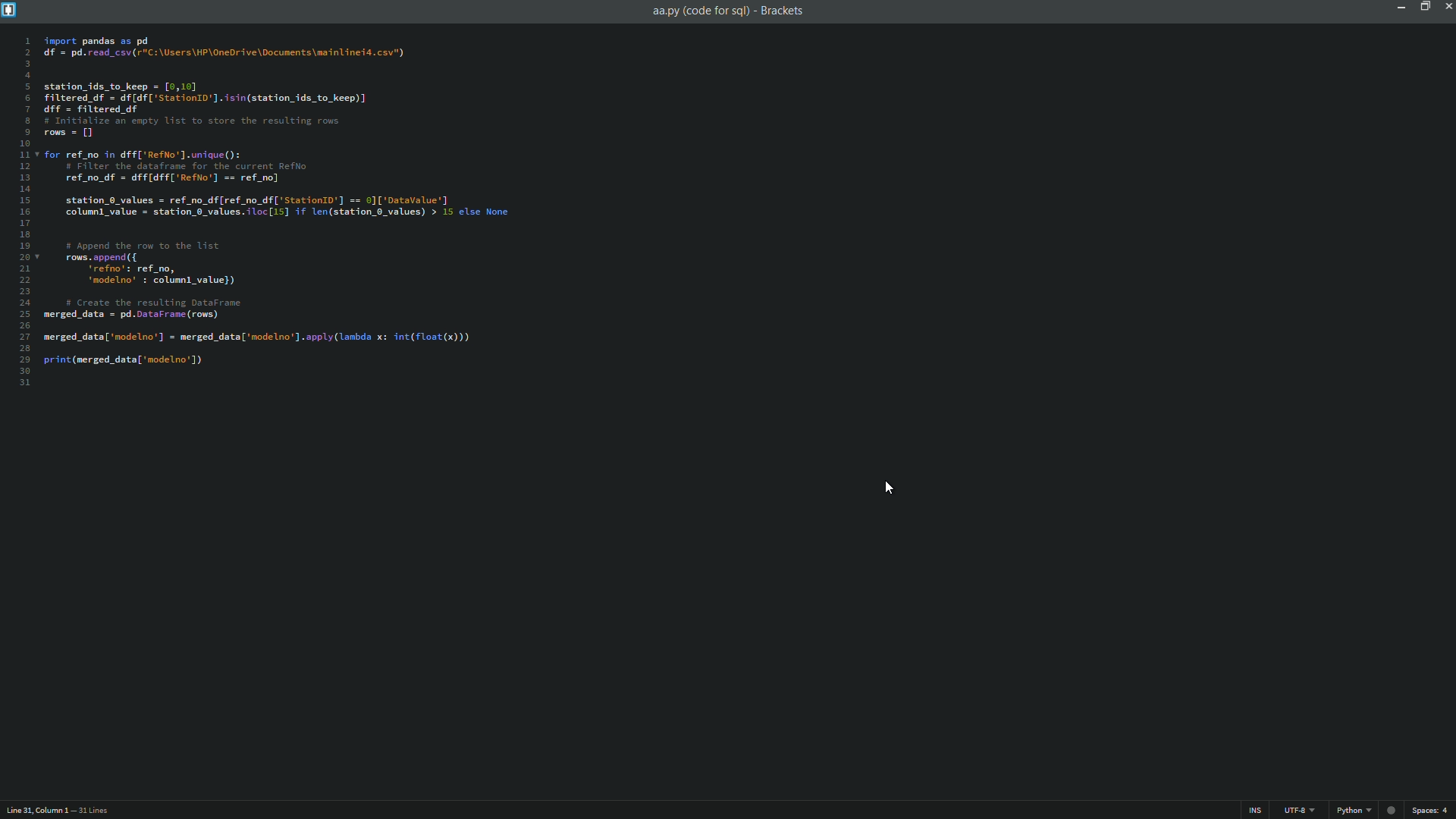 The width and height of the screenshot is (1456, 819). Describe the element at coordinates (1422, 6) in the screenshot. I see `maximize` at that location.